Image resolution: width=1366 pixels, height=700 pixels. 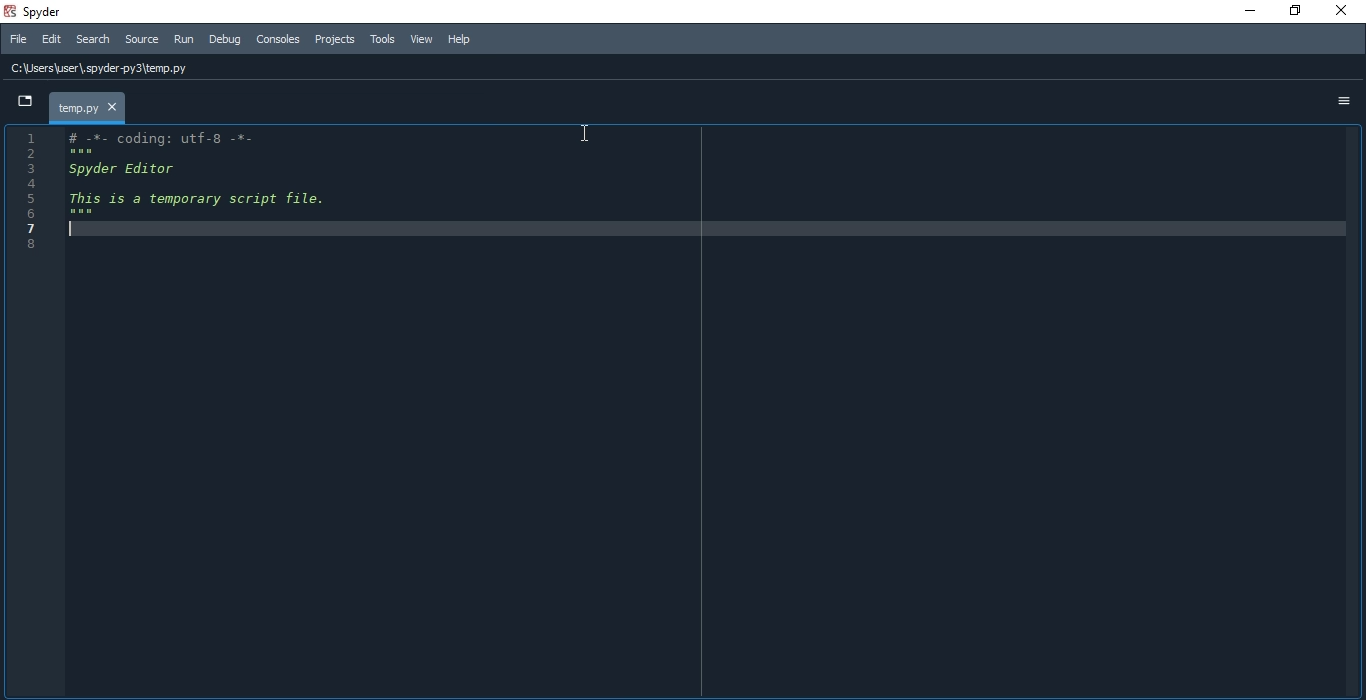 I want to click on temp.py, so click(x=87, y=106).